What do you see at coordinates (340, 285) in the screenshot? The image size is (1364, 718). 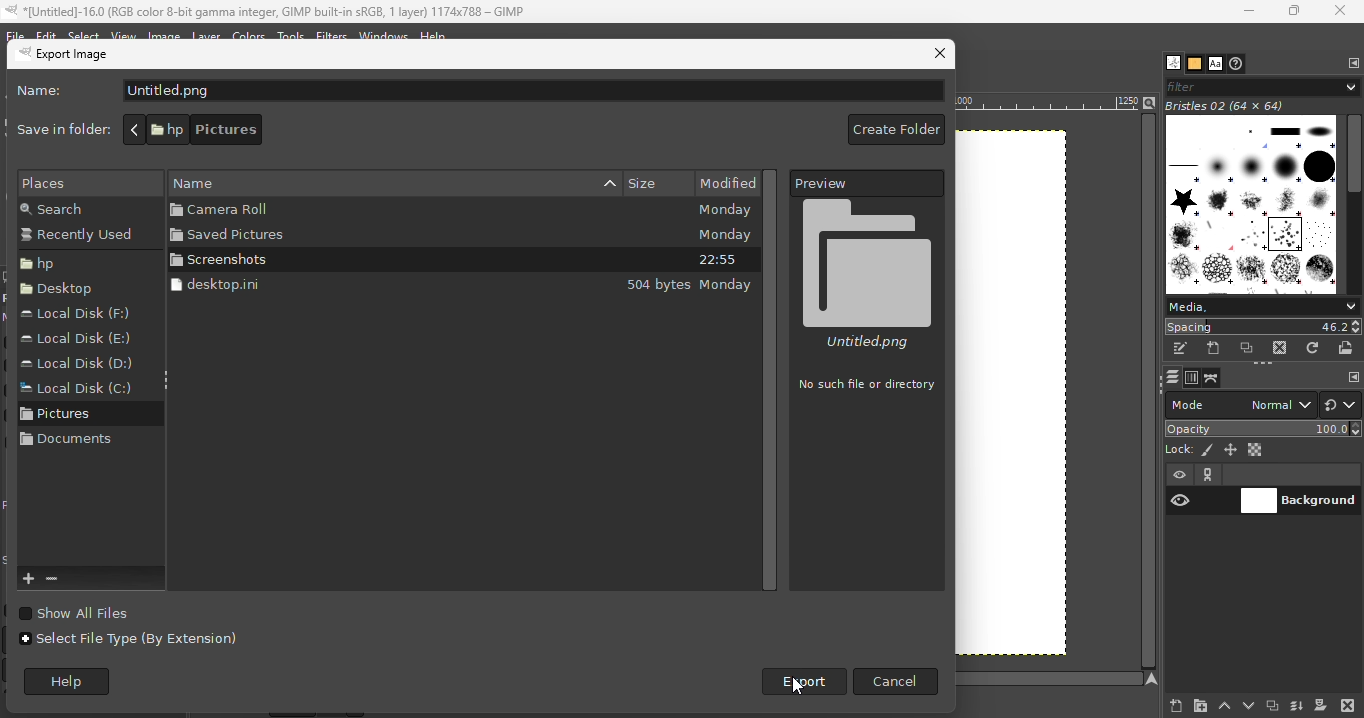 I see `desktop.ini` at bounding box center [340, 285].